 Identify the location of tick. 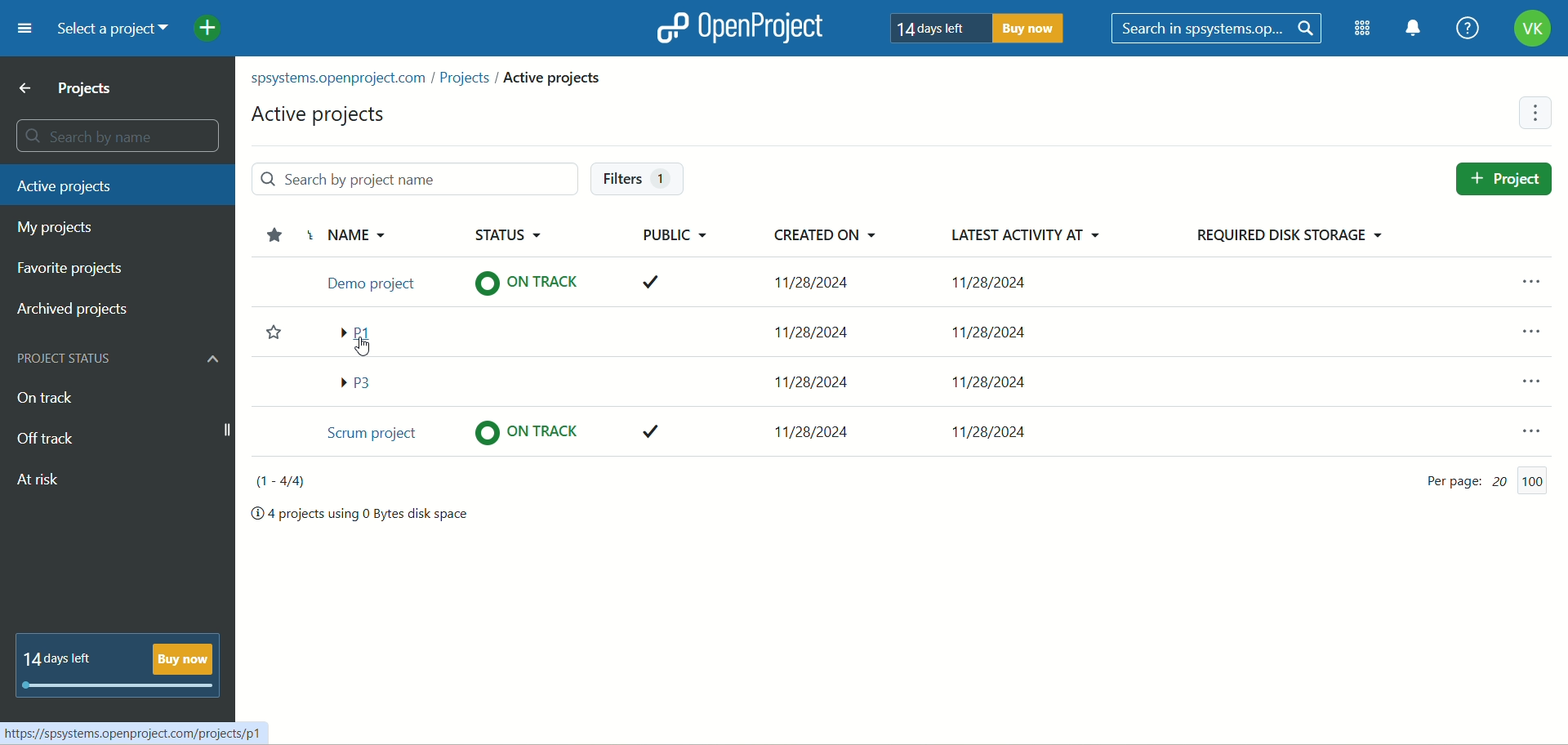
(656, 433).